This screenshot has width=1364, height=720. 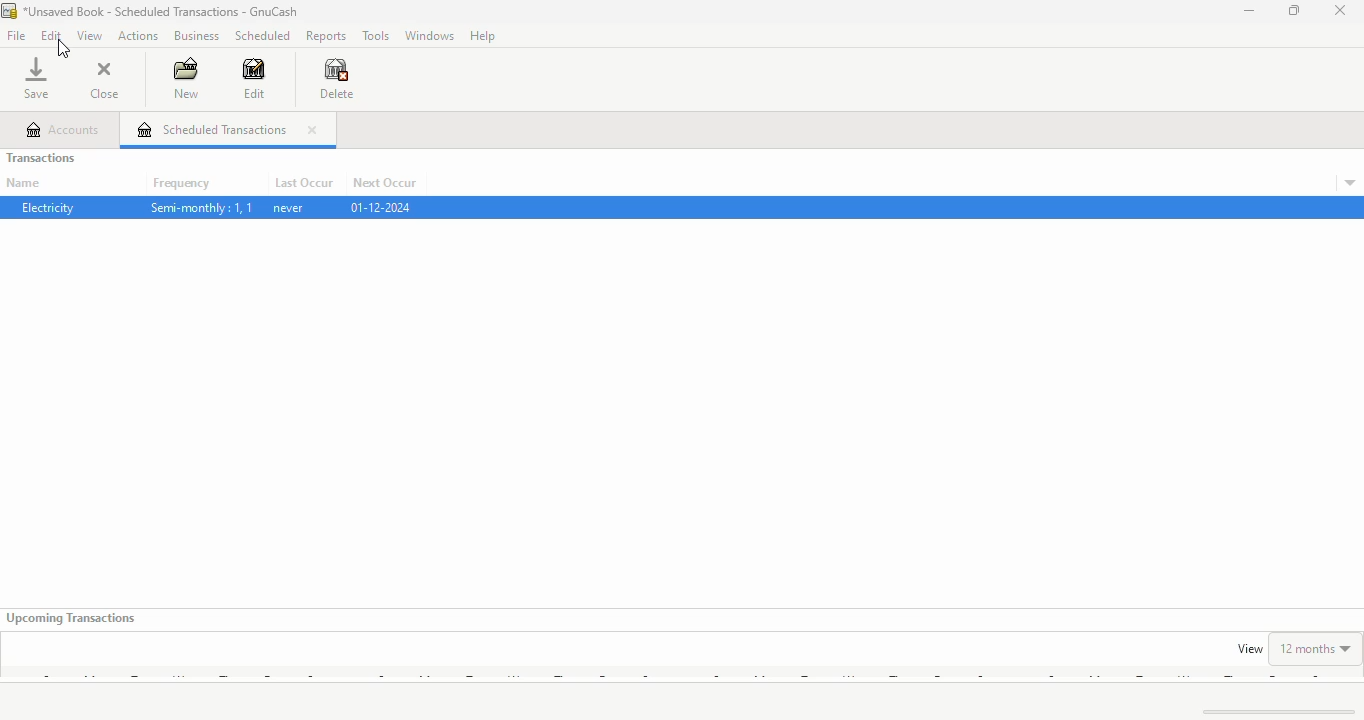 I want to click on frequency, so click(x=181, y=184).